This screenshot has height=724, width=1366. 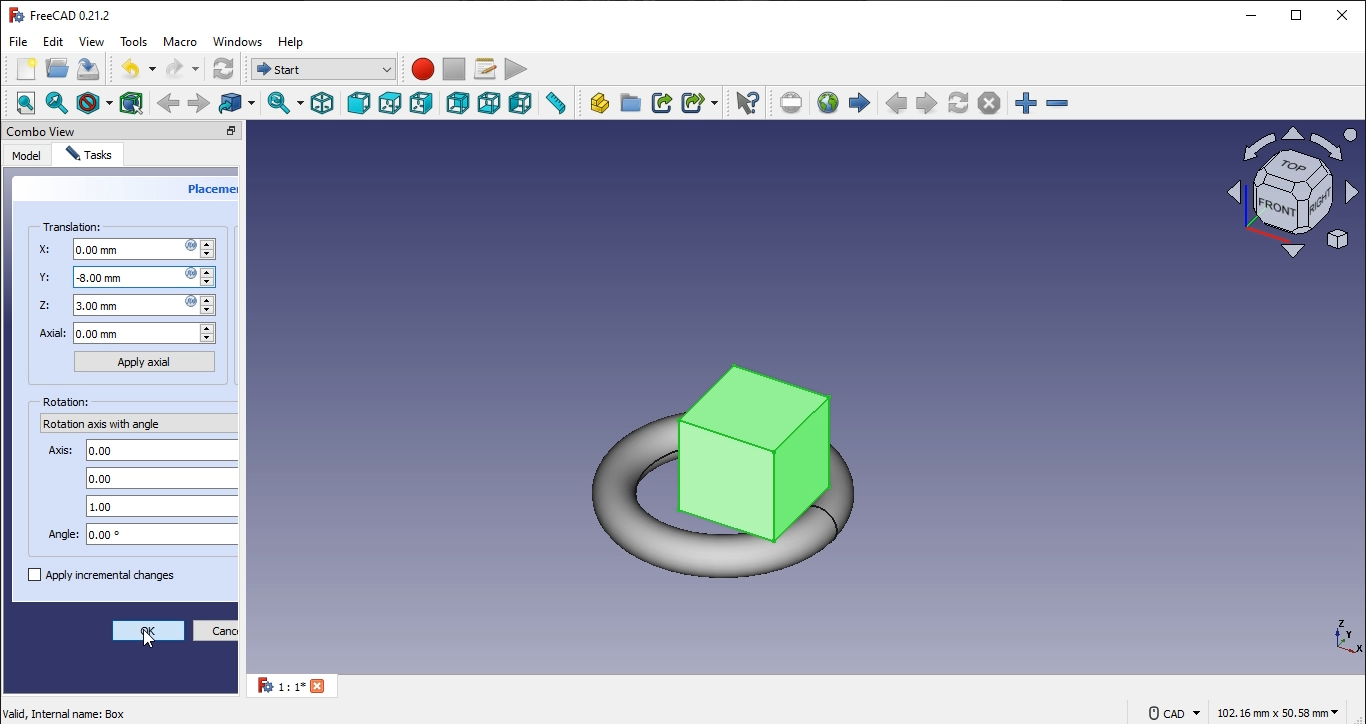 I want to click on zoom in, so click(x=1026, y=103).